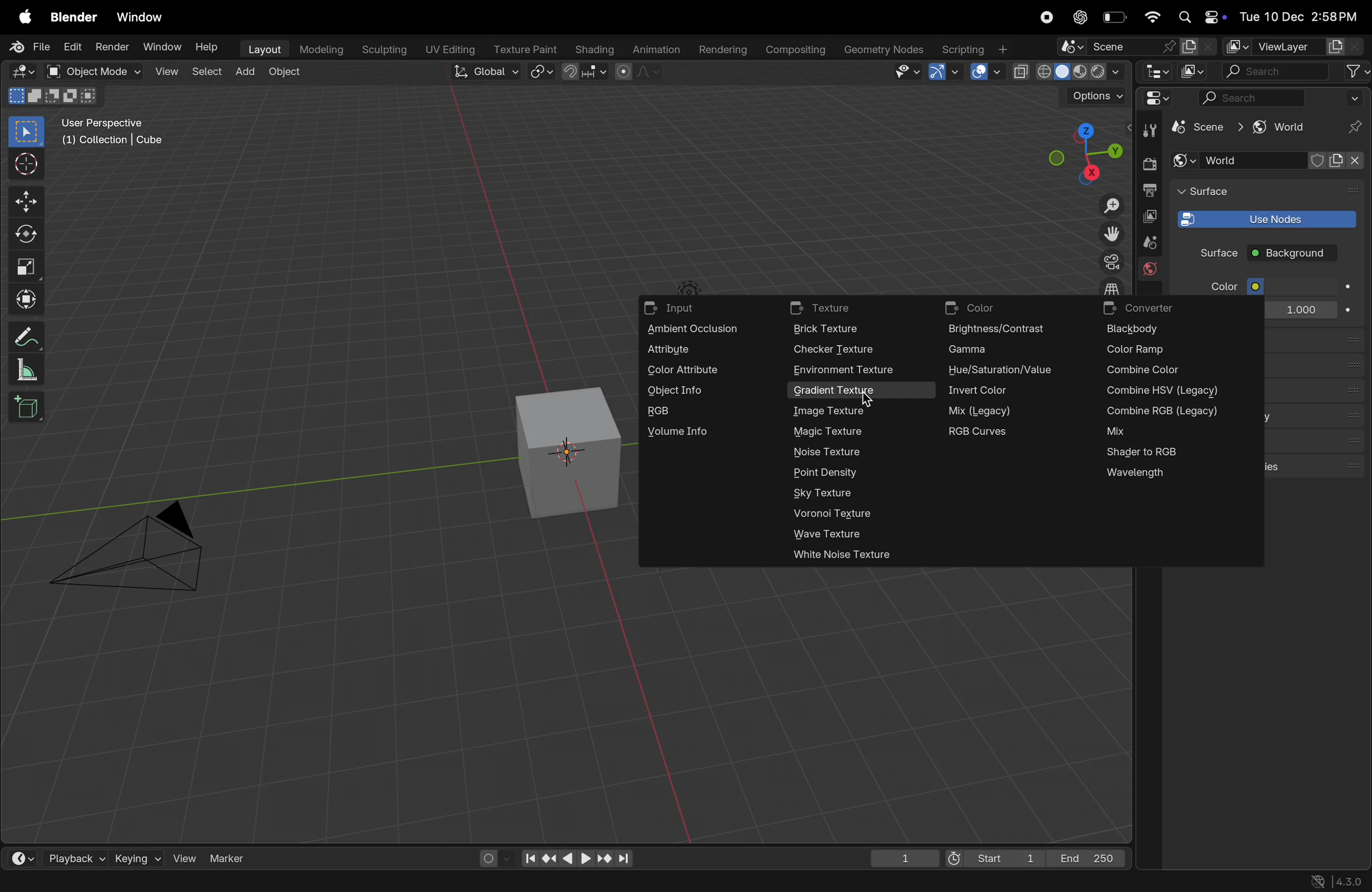 Image resolution: width=1372 pixels, height=892 pixels. Describe the element at coordinates (703, 330) in the screenshot. I see `Ambient occlusion` at that location.